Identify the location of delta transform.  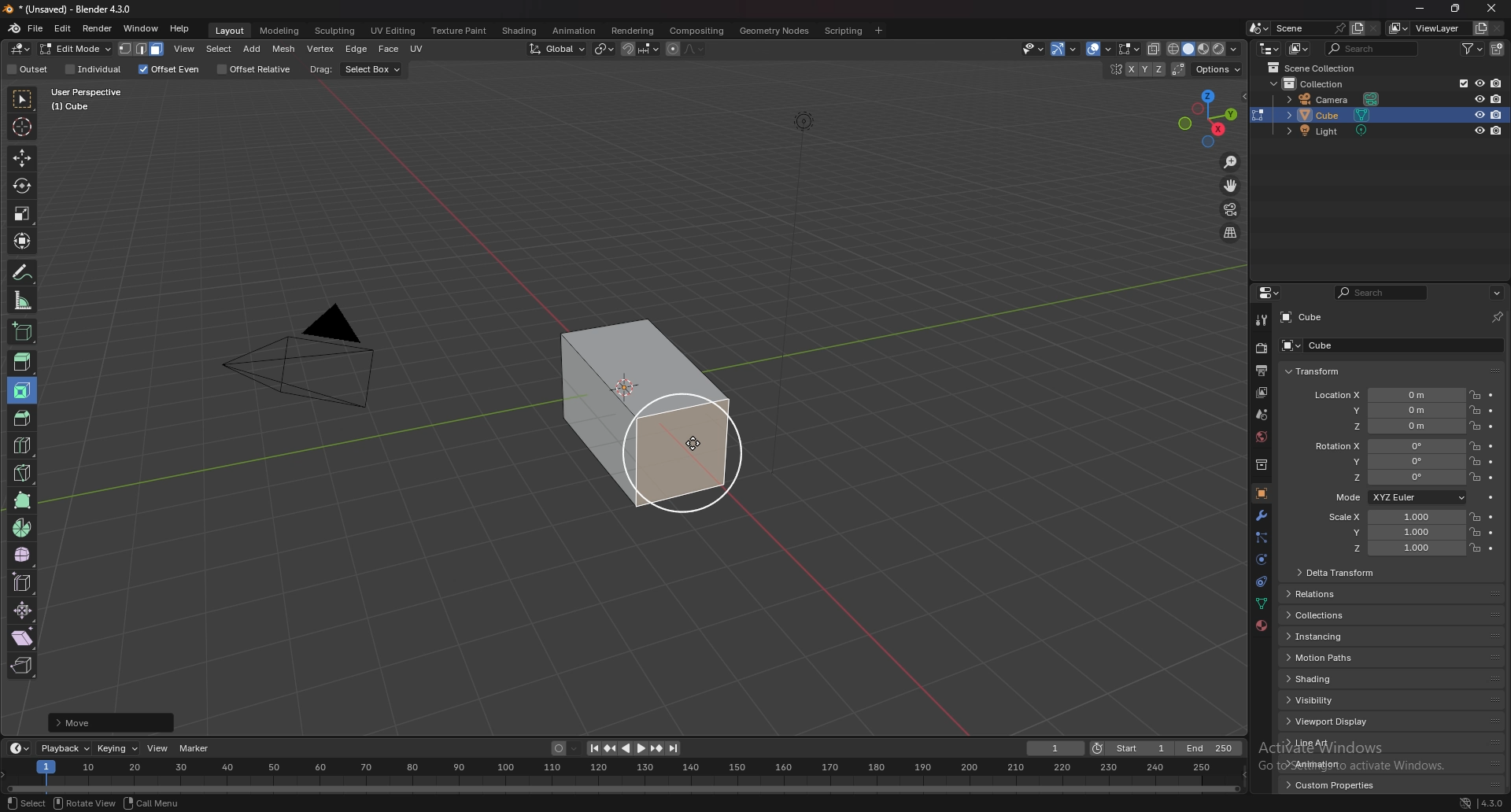
(1338, 571).